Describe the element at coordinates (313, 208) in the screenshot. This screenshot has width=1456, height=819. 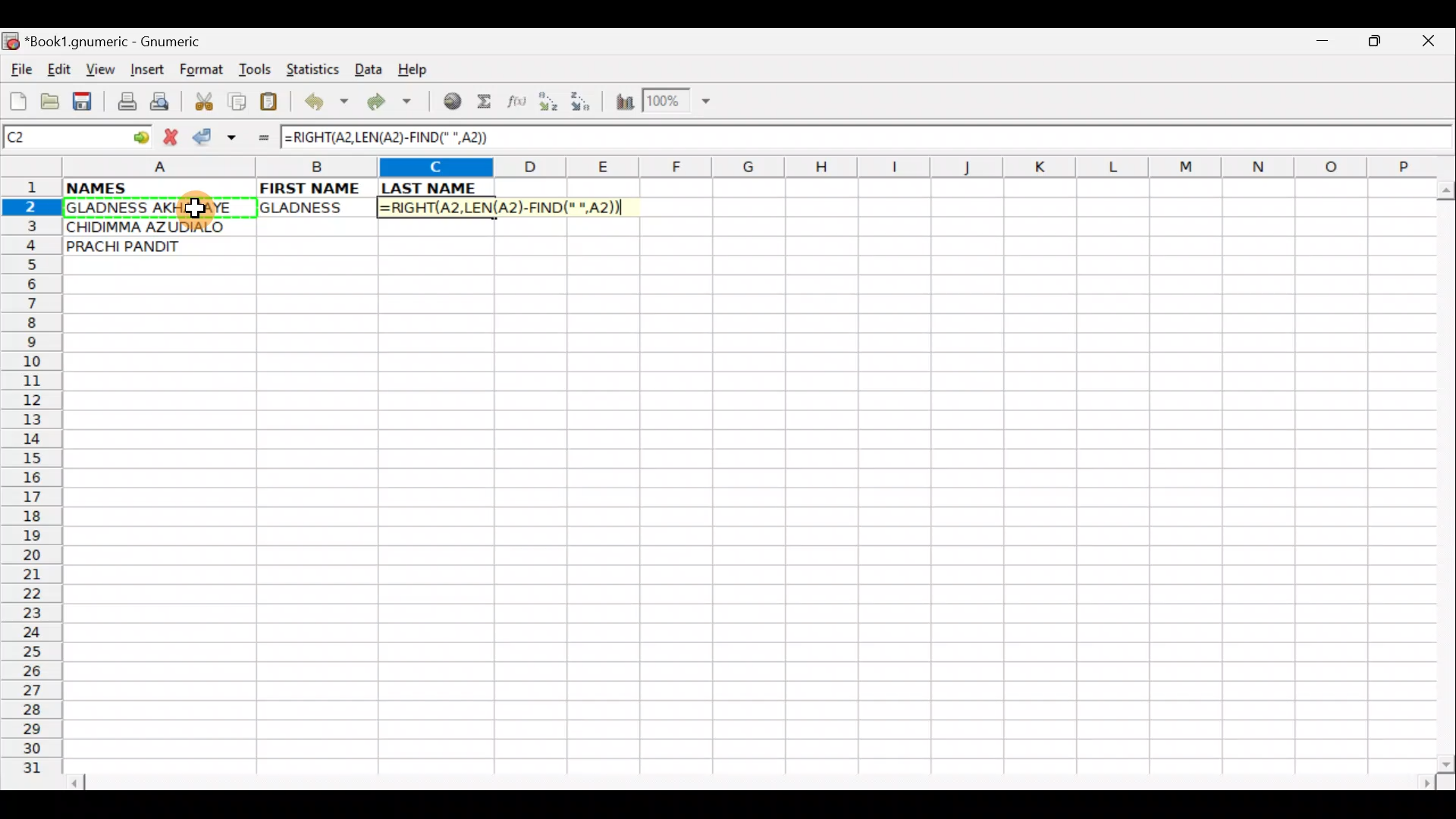
I see `GLADNESS` at that location.